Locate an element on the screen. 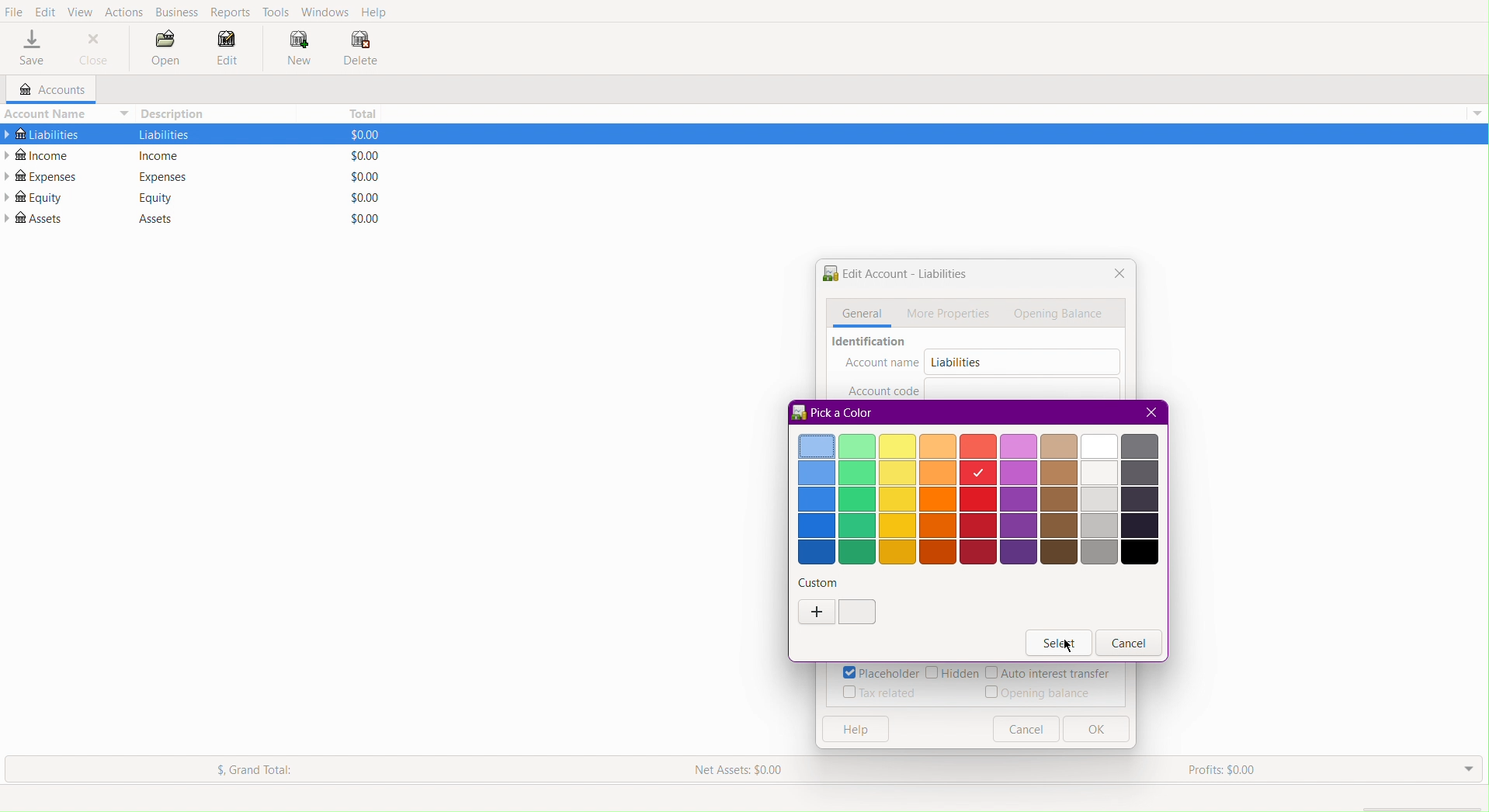 The width and height of the screenshot is (1489, 812).  is located at coordinates (1026, 729).